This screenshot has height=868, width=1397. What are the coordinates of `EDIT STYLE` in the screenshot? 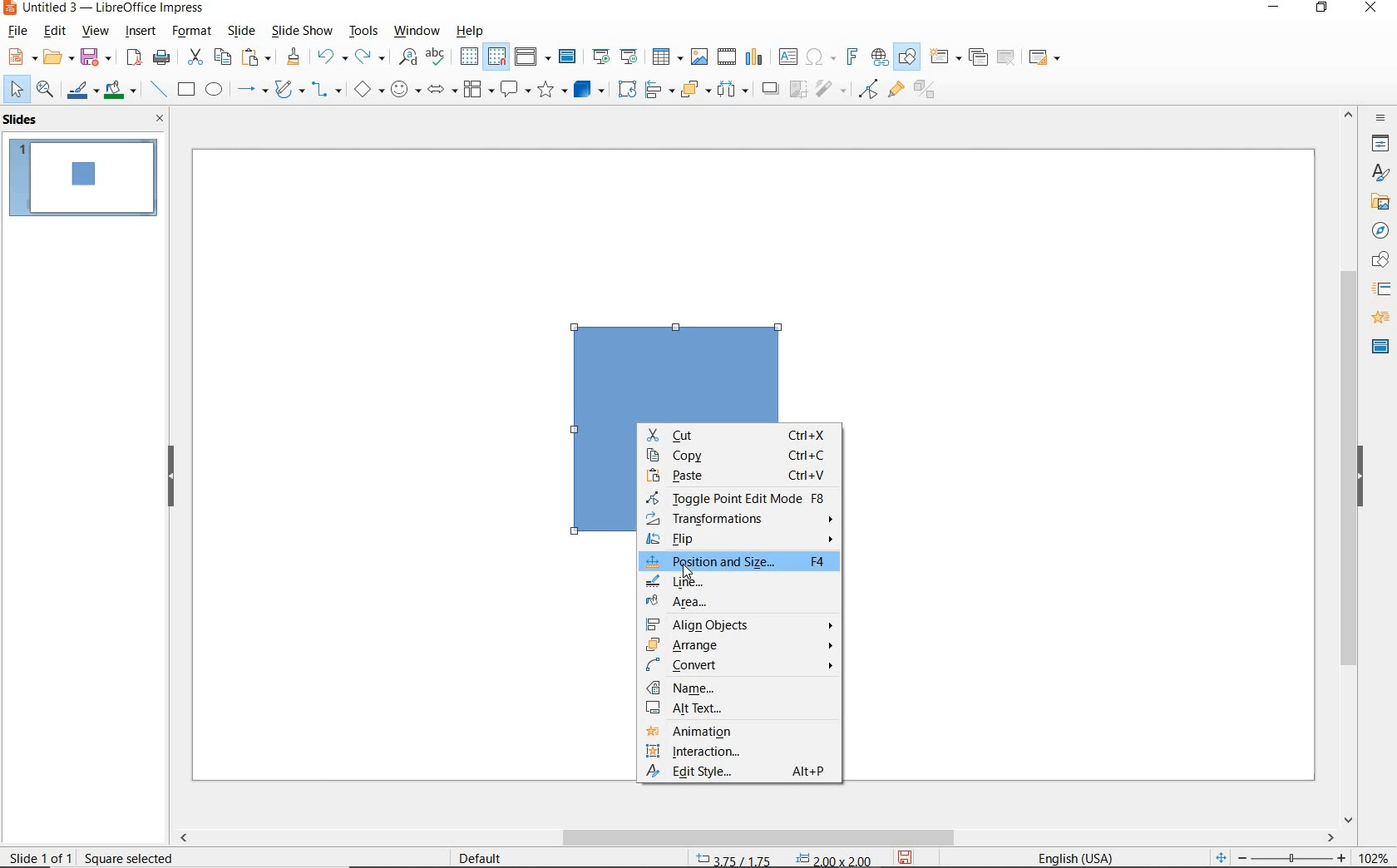 It's located at (738, 772).